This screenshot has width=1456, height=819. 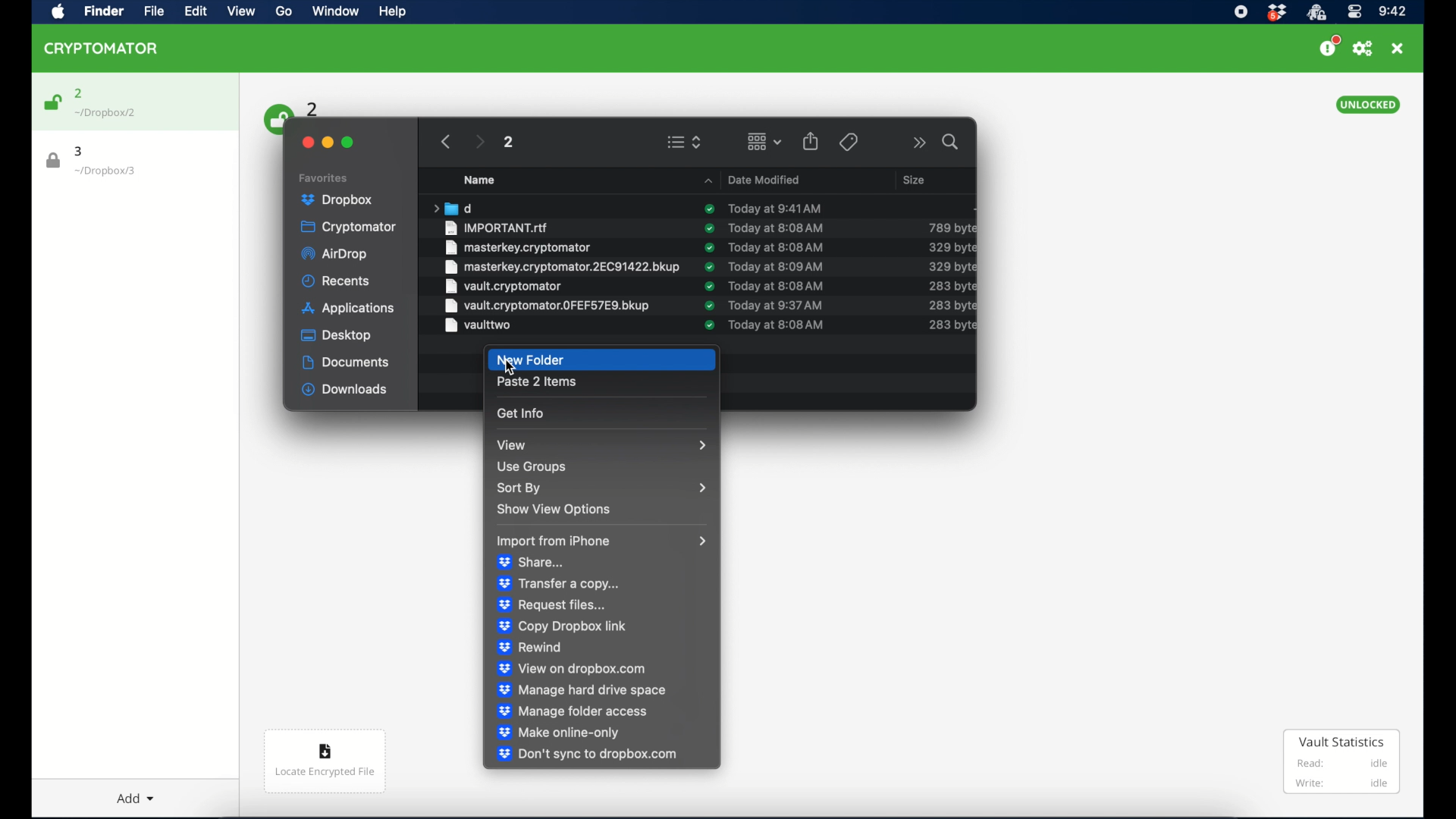 What do you see at coordinates (129, 792) in the screenshot?
I see `add dropdown` at bounding box center [129, 792].